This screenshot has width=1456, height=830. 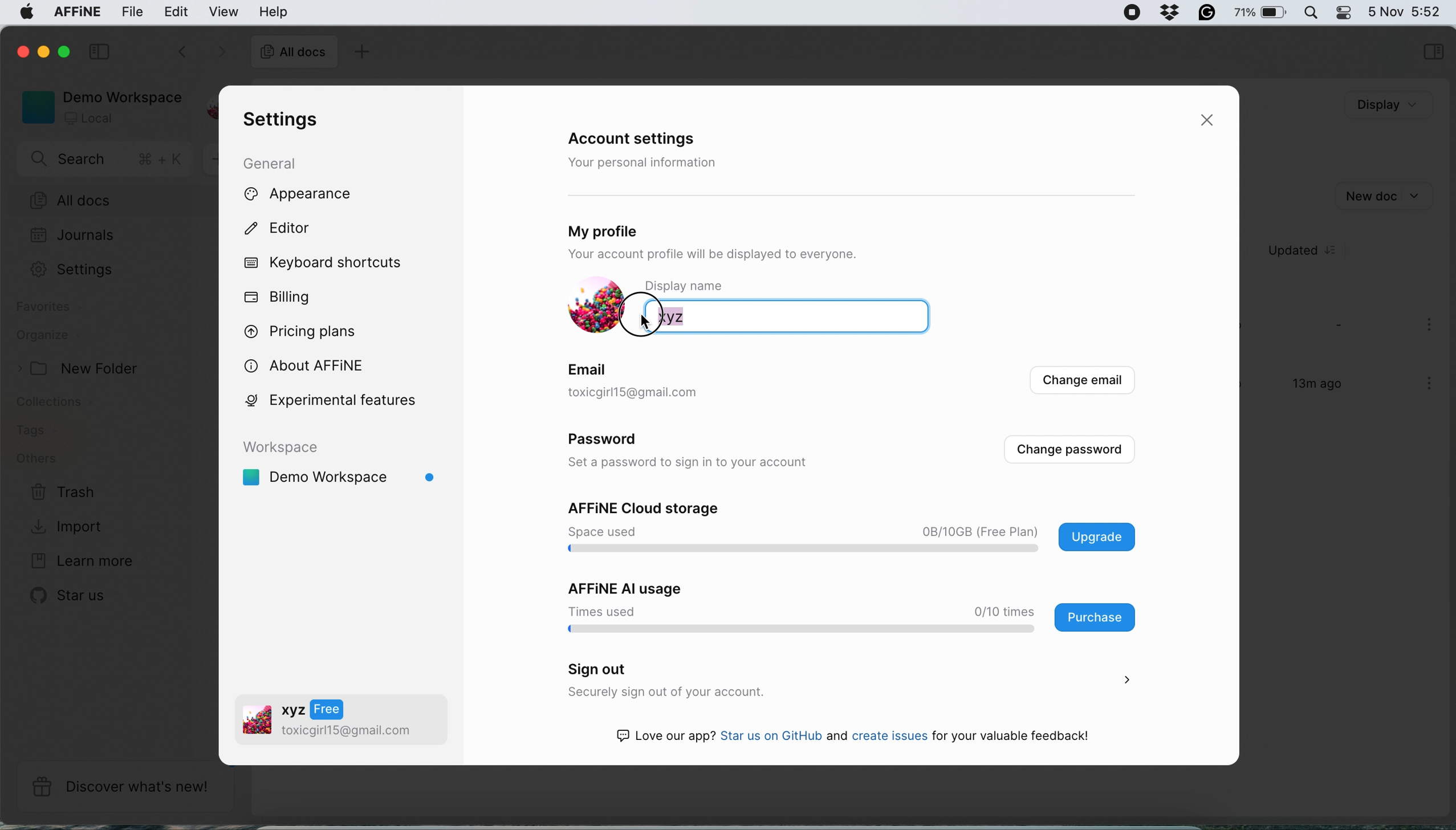 What do you see at coordinates (108, 161) in the screenshot?
I see `search` at bounding box center [108, 161].